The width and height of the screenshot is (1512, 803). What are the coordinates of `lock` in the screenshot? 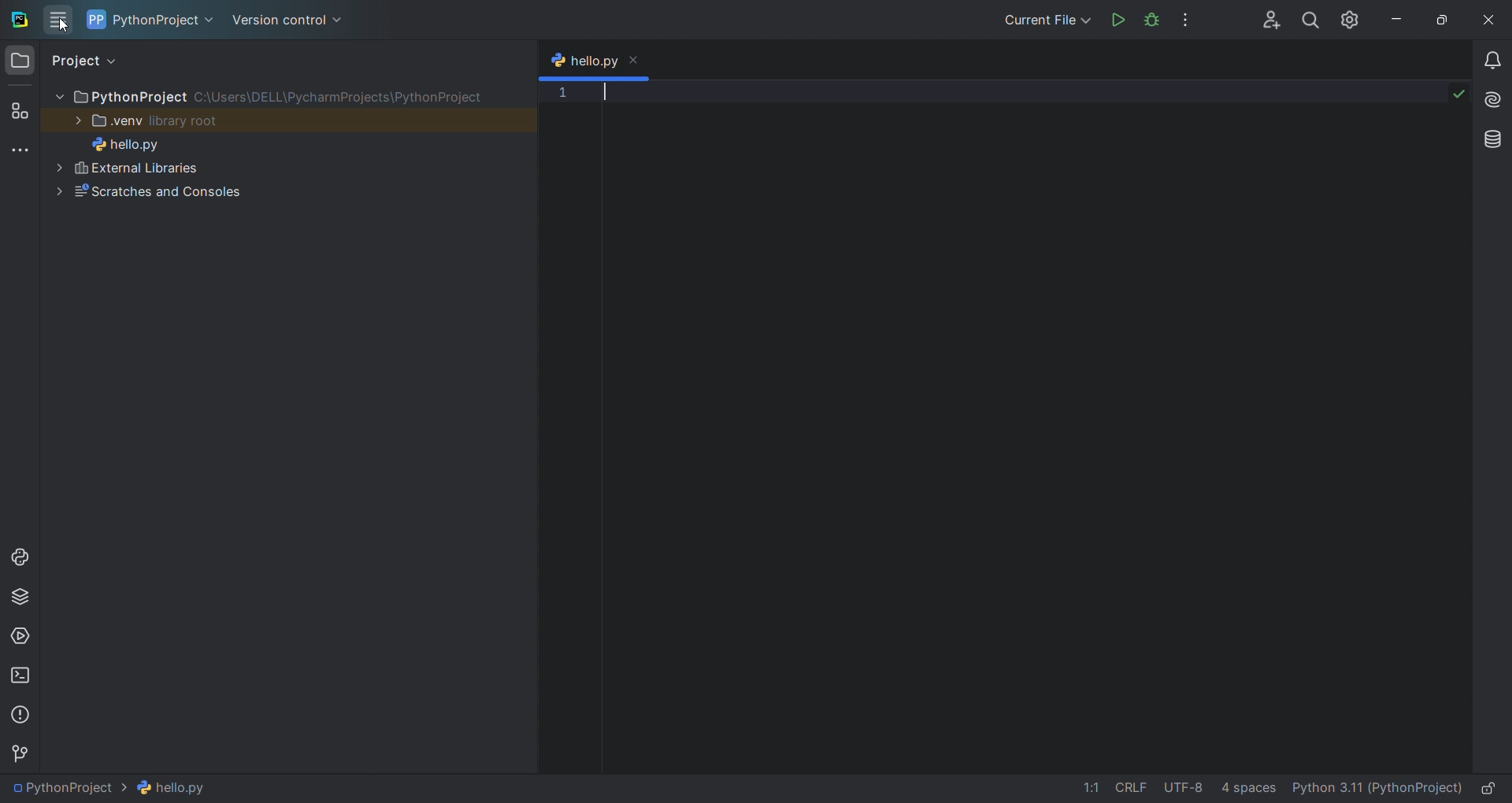 It's located at (1488, 785).